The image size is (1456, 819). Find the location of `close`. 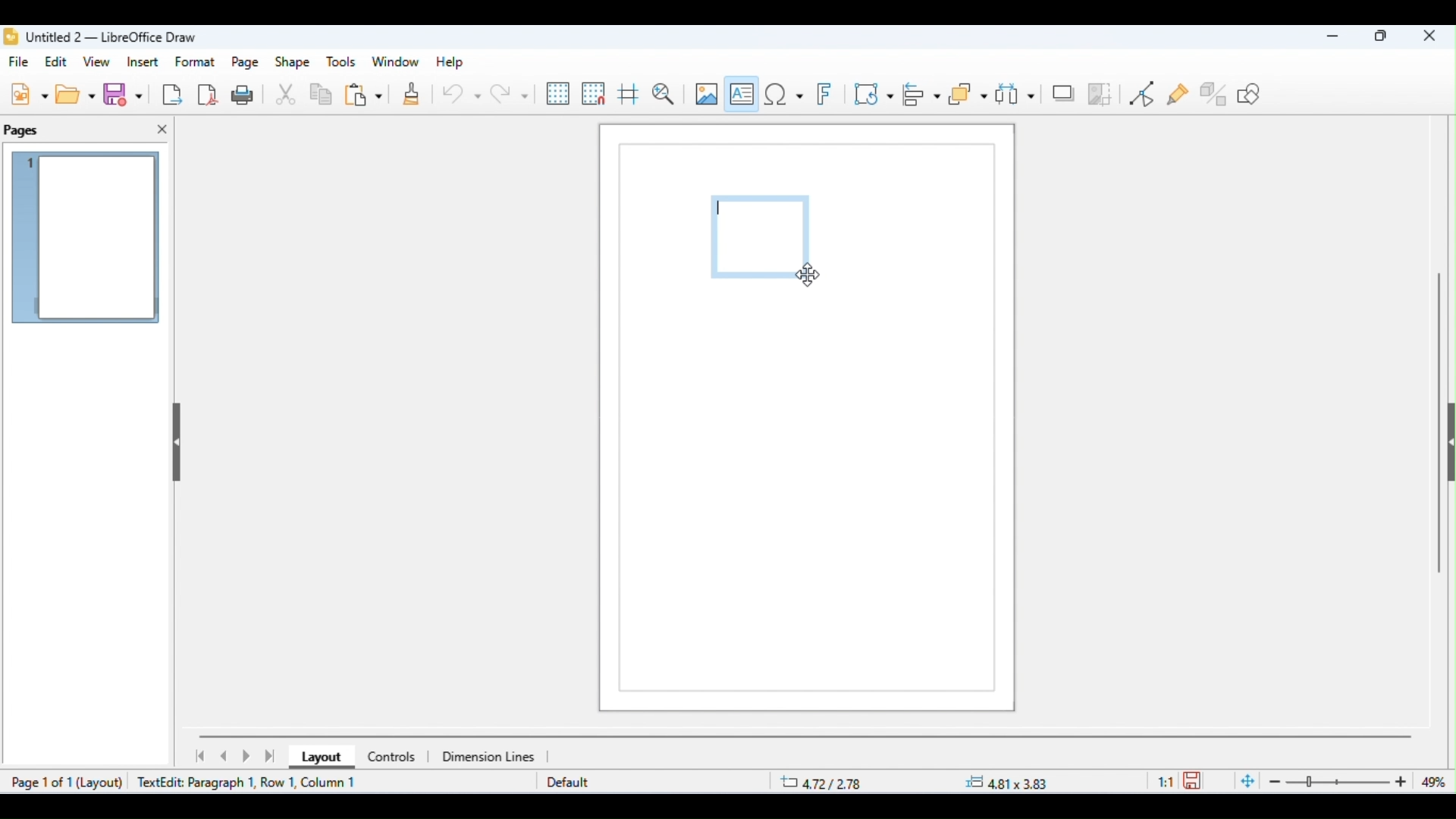

close is located at coordinates (162, 130).